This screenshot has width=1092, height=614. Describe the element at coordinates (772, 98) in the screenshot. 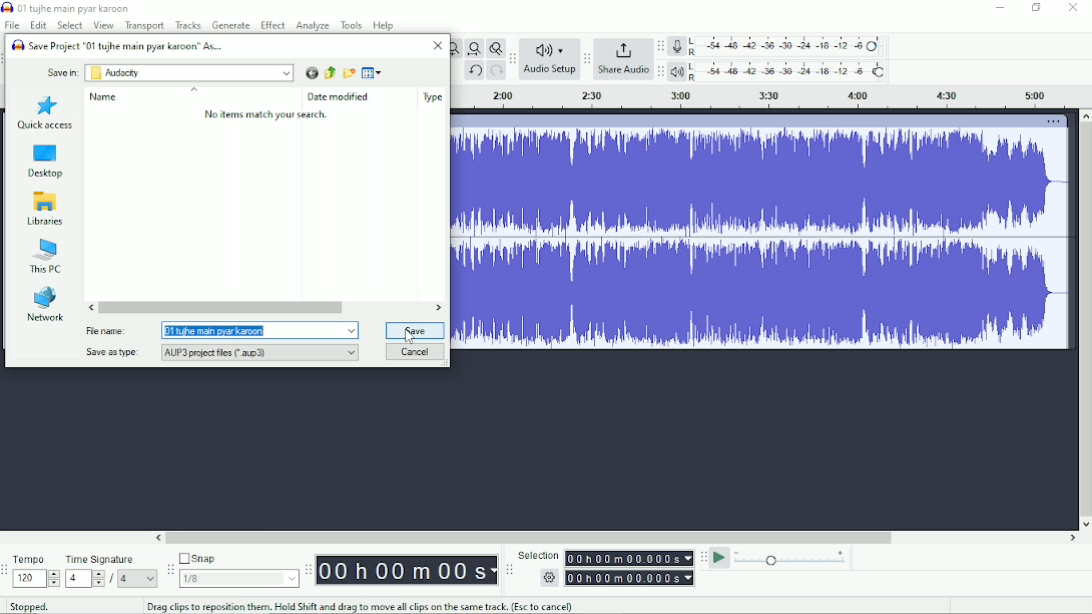

I see `Timeline` at that location.